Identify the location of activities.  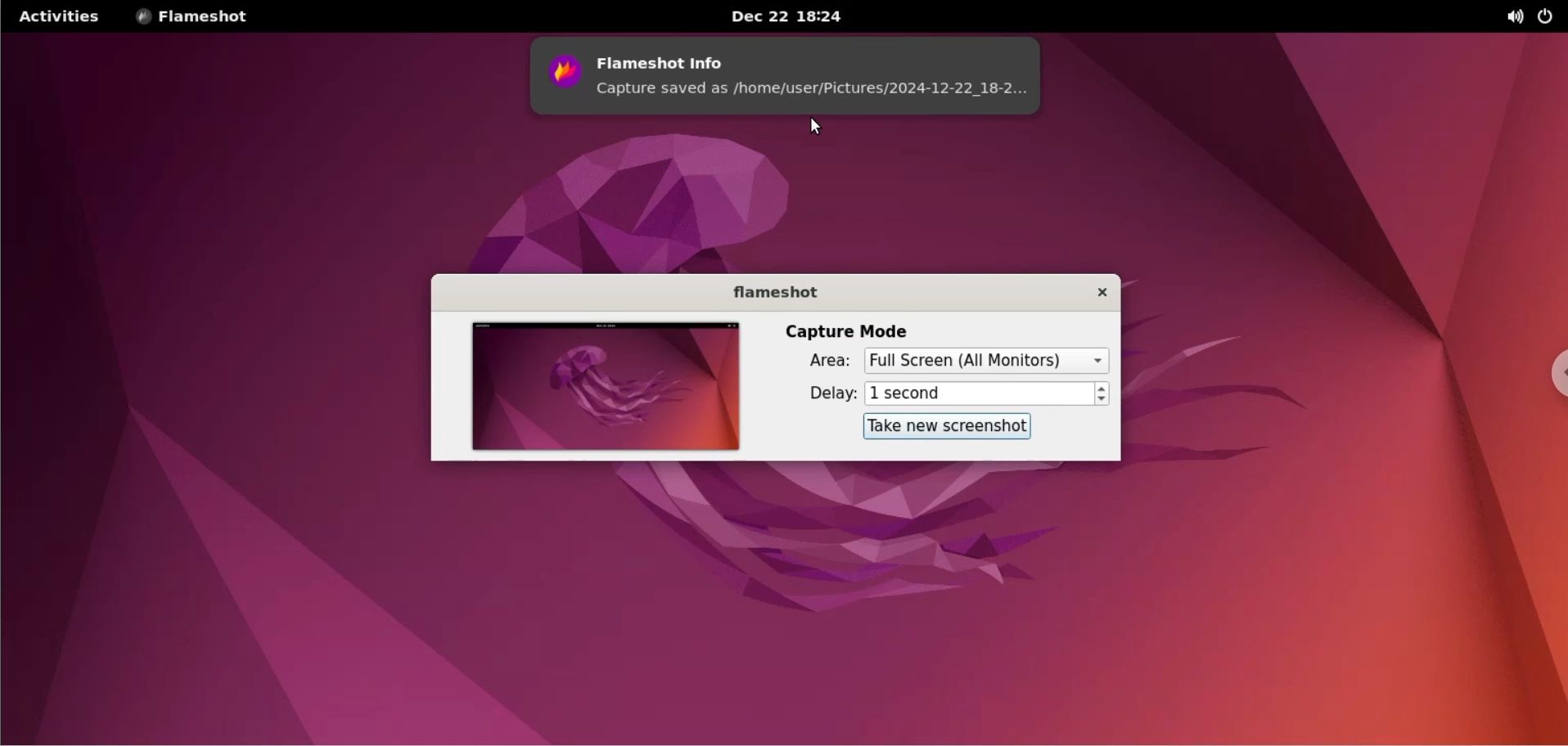
(62, 17).